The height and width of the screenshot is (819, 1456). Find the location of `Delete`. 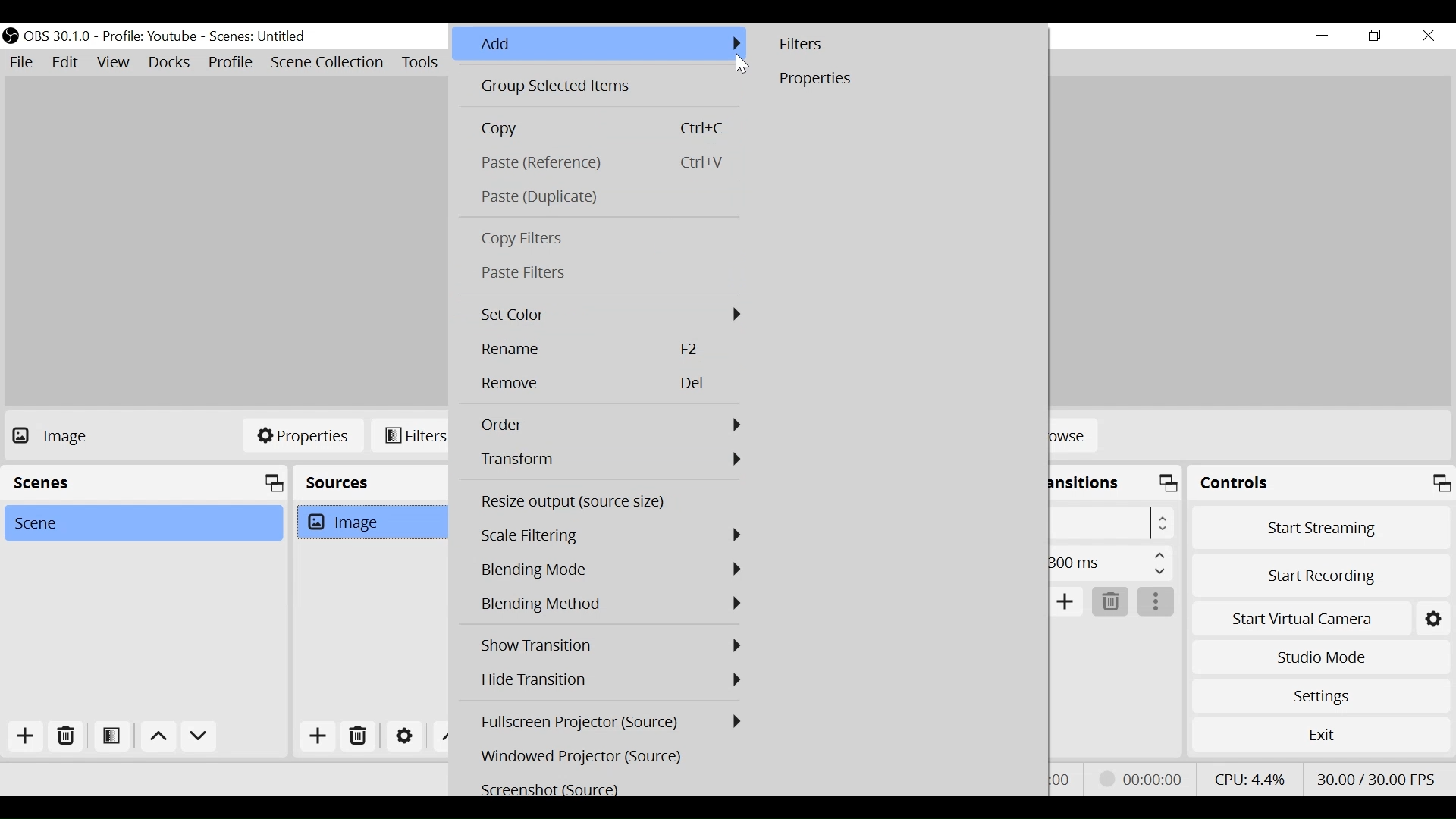

Delete is located at coordinates (358, 736).